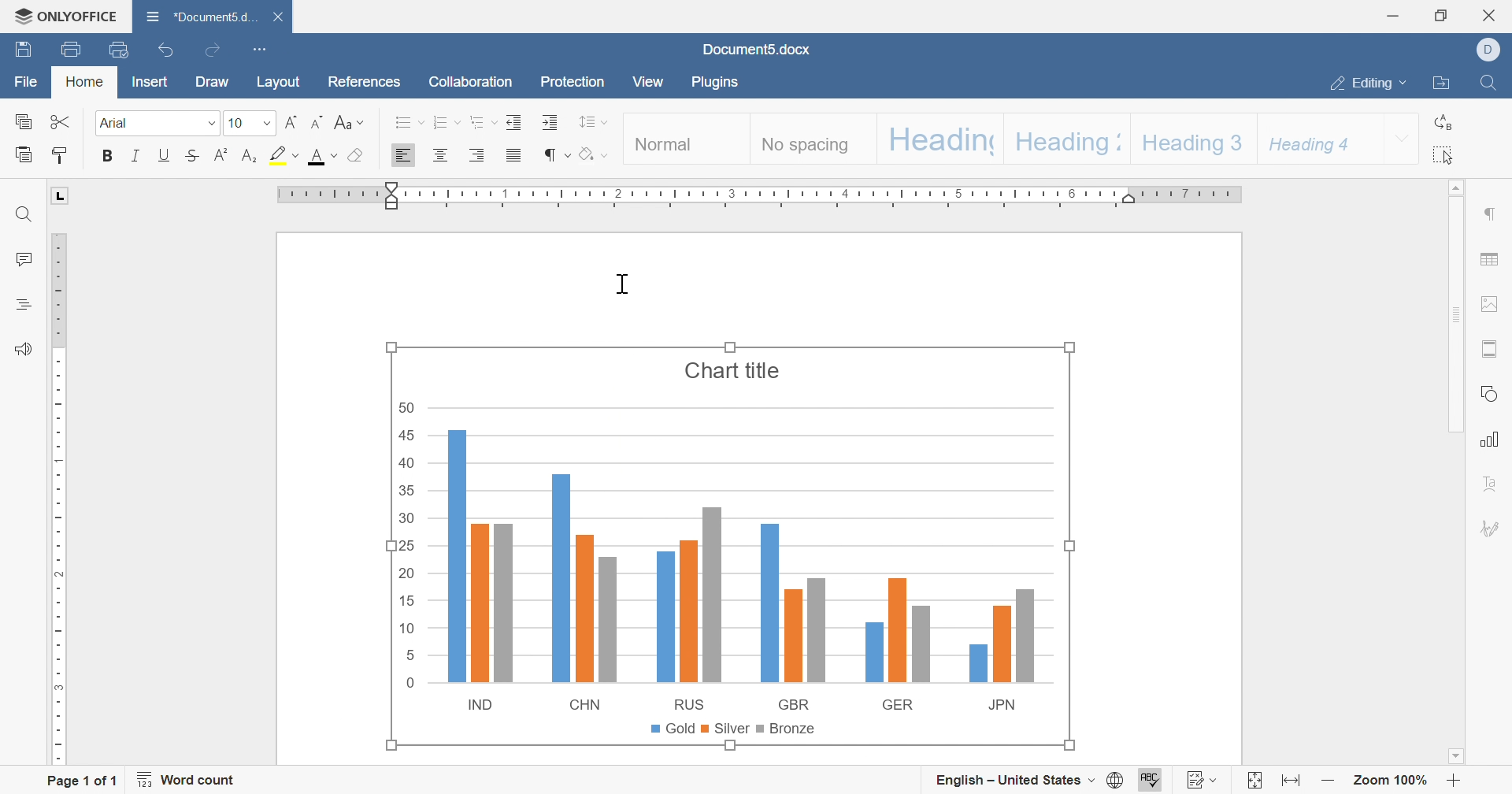 The height and width of the screenshot is (794, 1512). I want to click on multilevel list, so click(481, 122).